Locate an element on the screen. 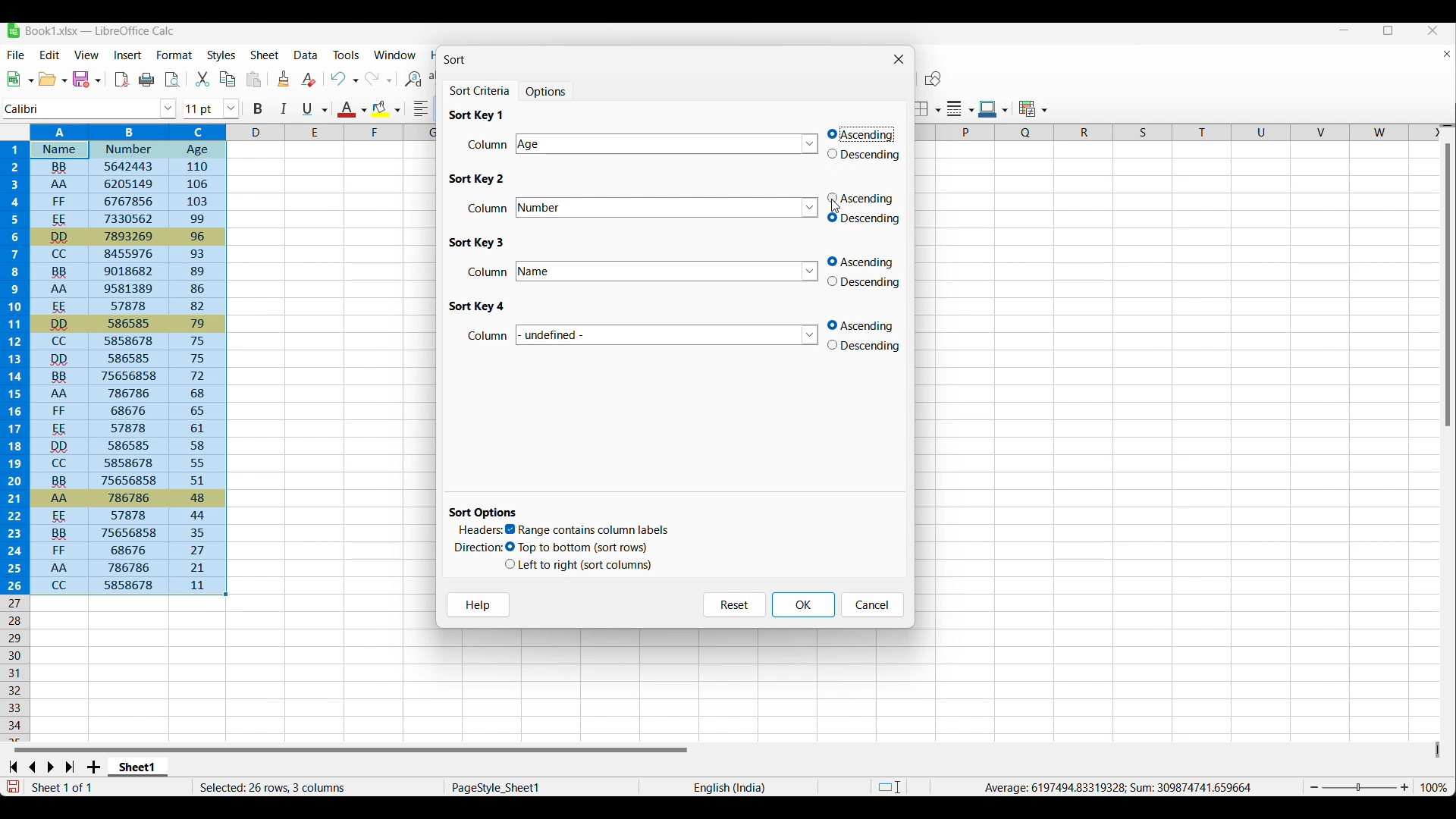 This screenshot has height=819, width=1456. Horizontal slide bar is located at coordinates (351, 749).